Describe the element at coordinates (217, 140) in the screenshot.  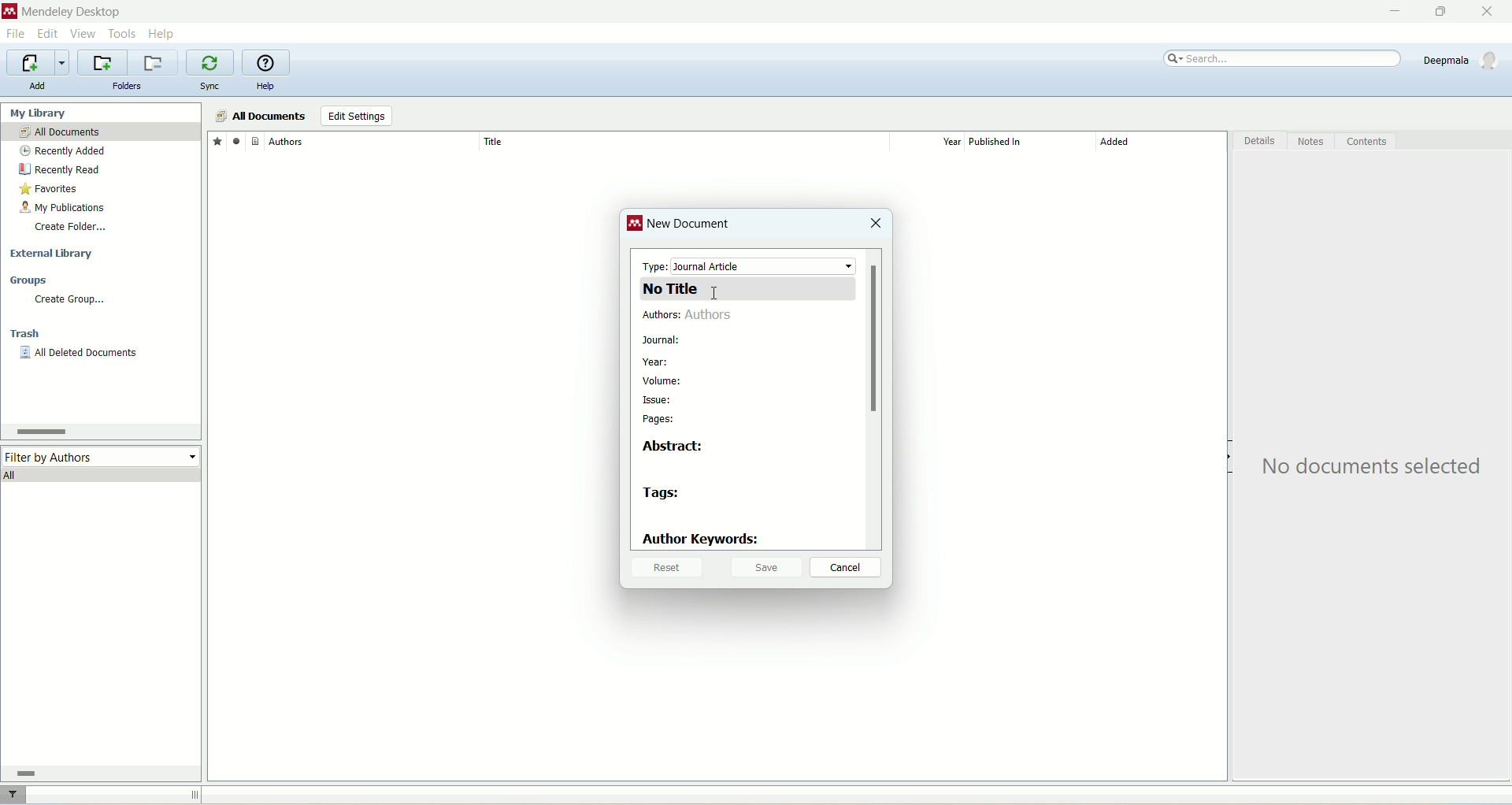
I see `favorites` at that location.